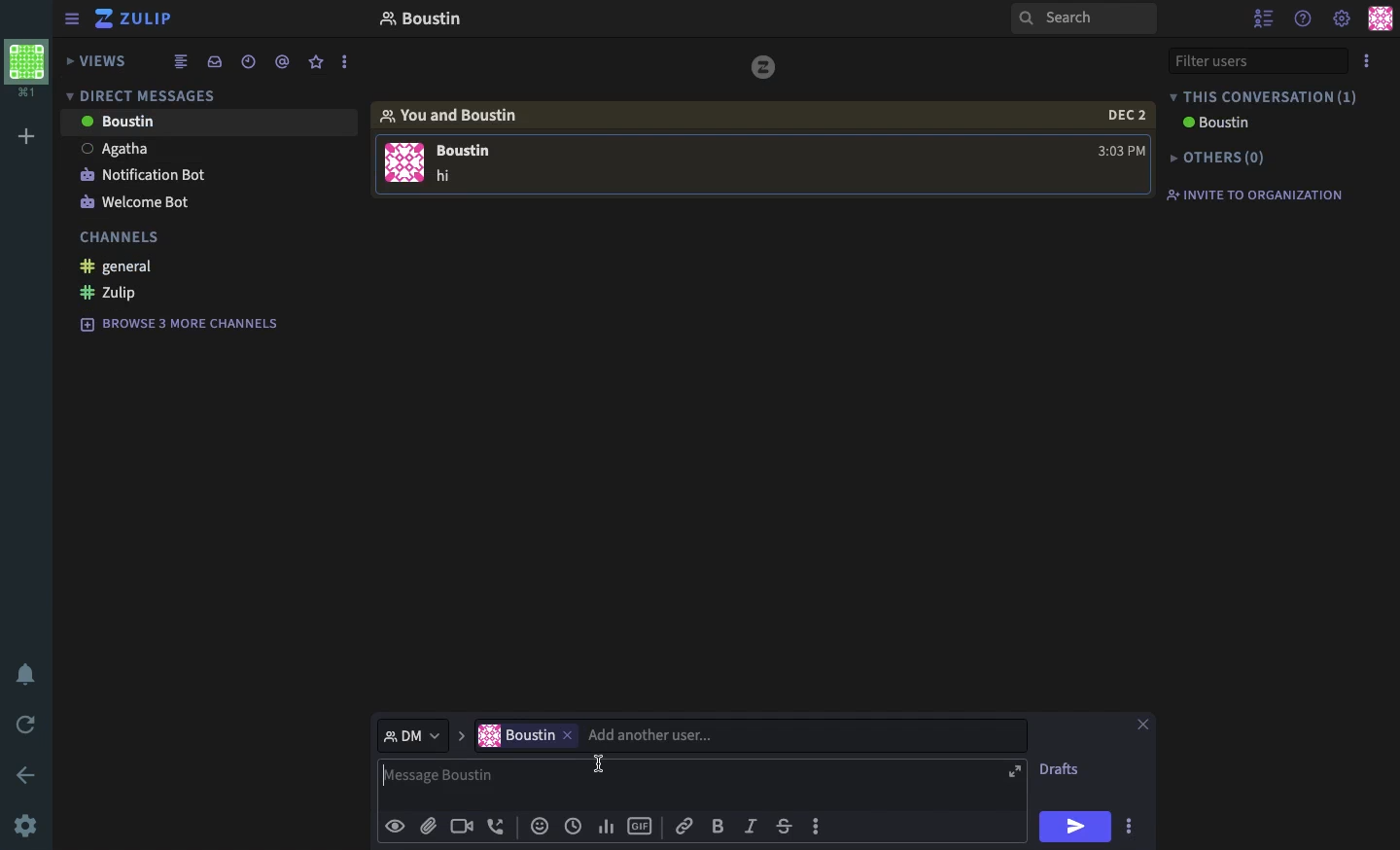  What do you see at coordinates (571, 738) in the screenshot?
I see `remove` at bounding box center [571, 738].